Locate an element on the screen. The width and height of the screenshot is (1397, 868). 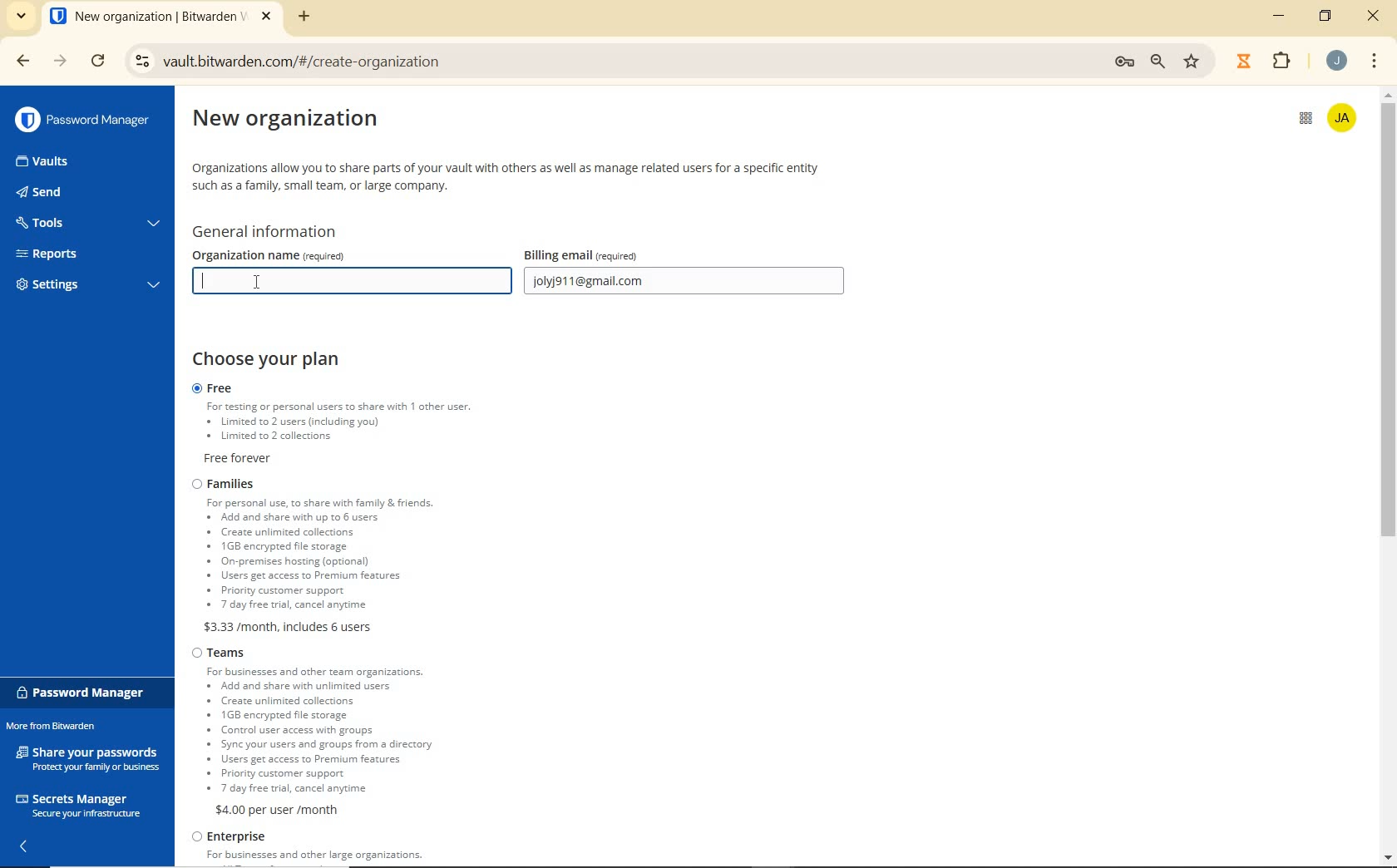
minimize is located at coordinates (1281, 16).